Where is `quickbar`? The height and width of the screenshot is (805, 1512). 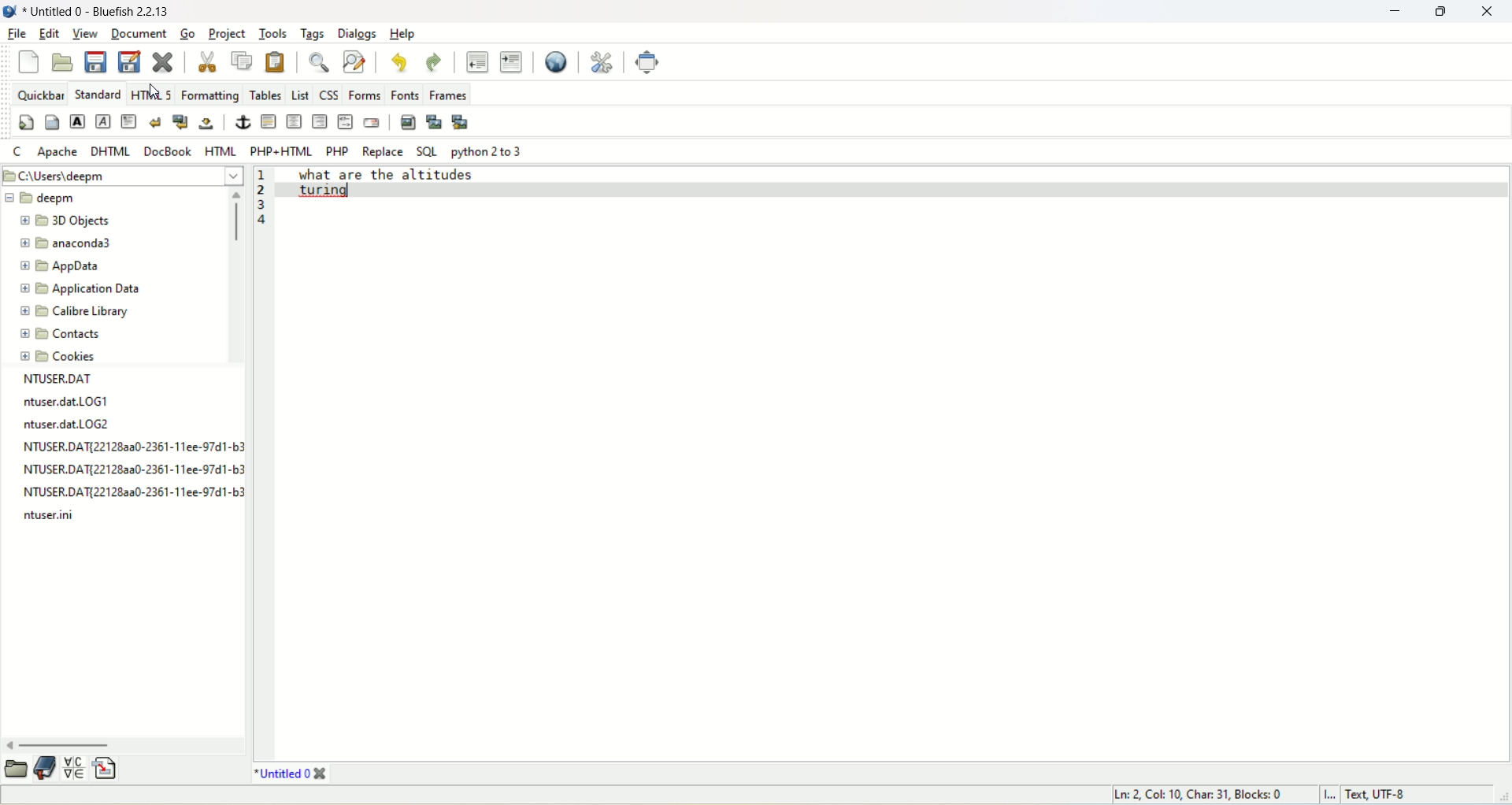 quickbar is located at coordinates (42, 95).